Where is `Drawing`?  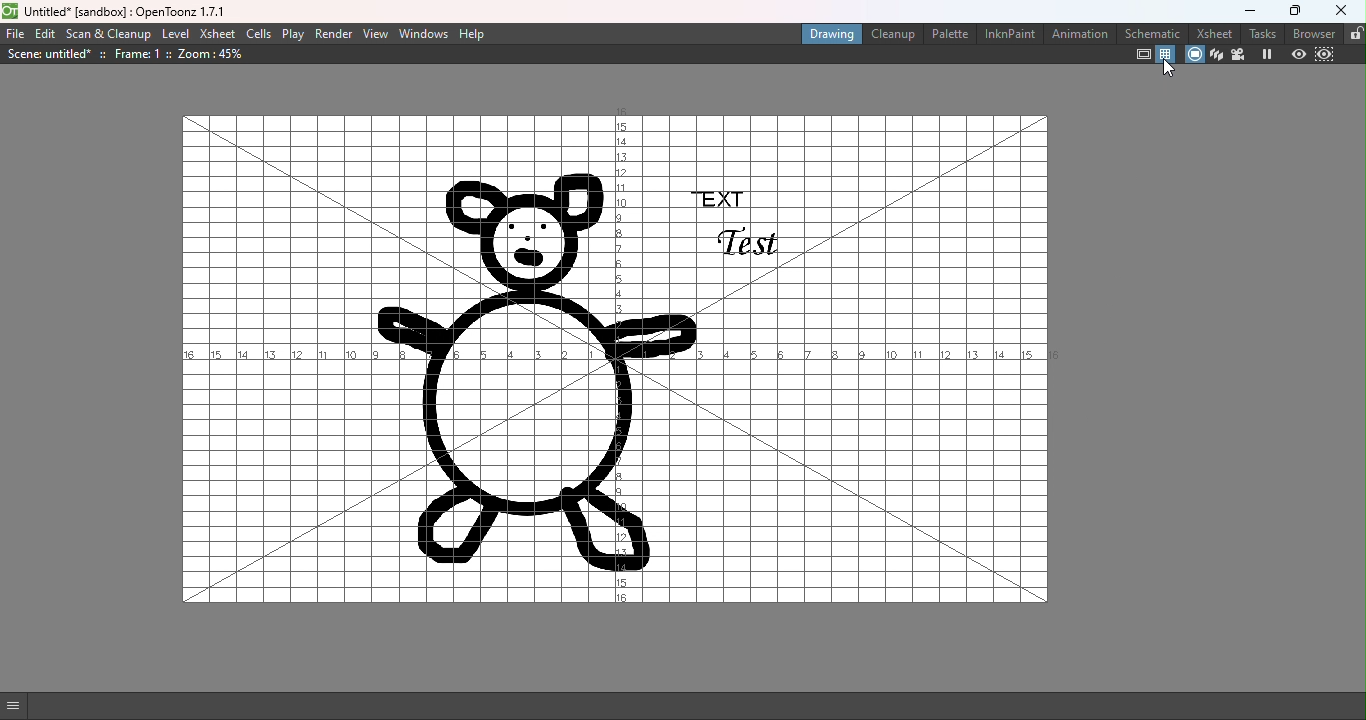
Drawing is located at coordinates (827, 34).